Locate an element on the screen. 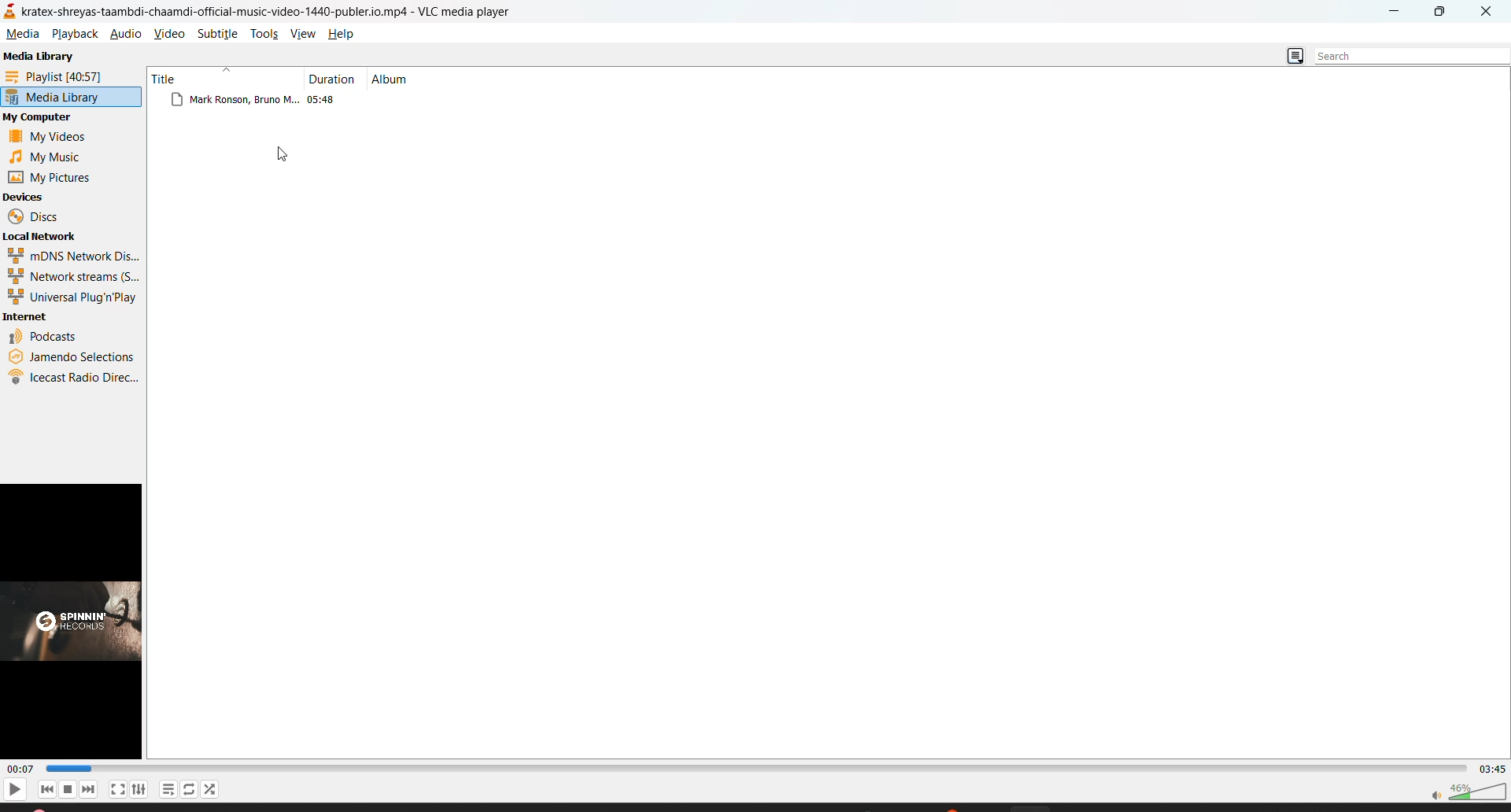  internet is located at coordinates (30, 317).